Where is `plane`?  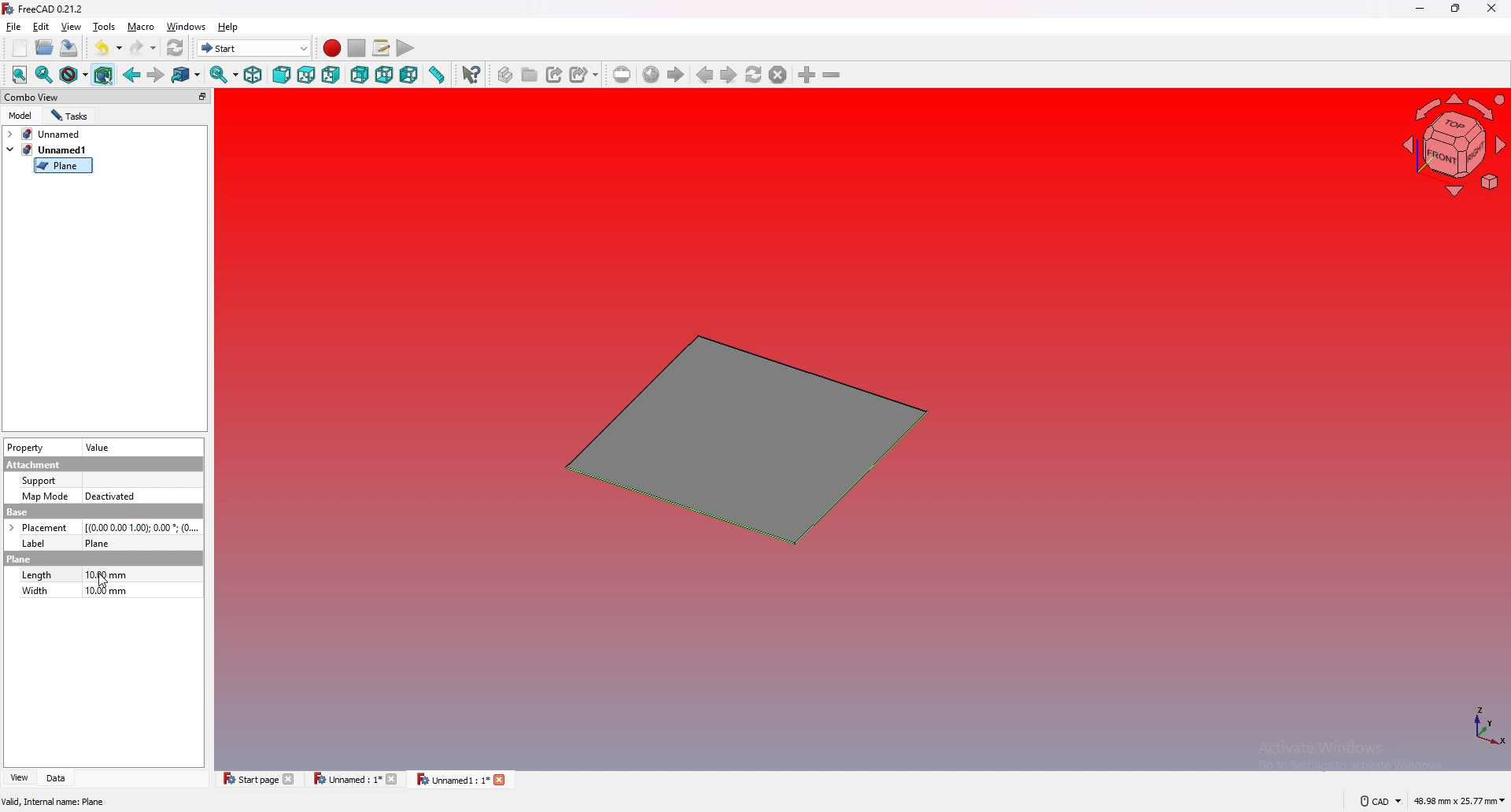
plane is located at coordinates (740, 440).